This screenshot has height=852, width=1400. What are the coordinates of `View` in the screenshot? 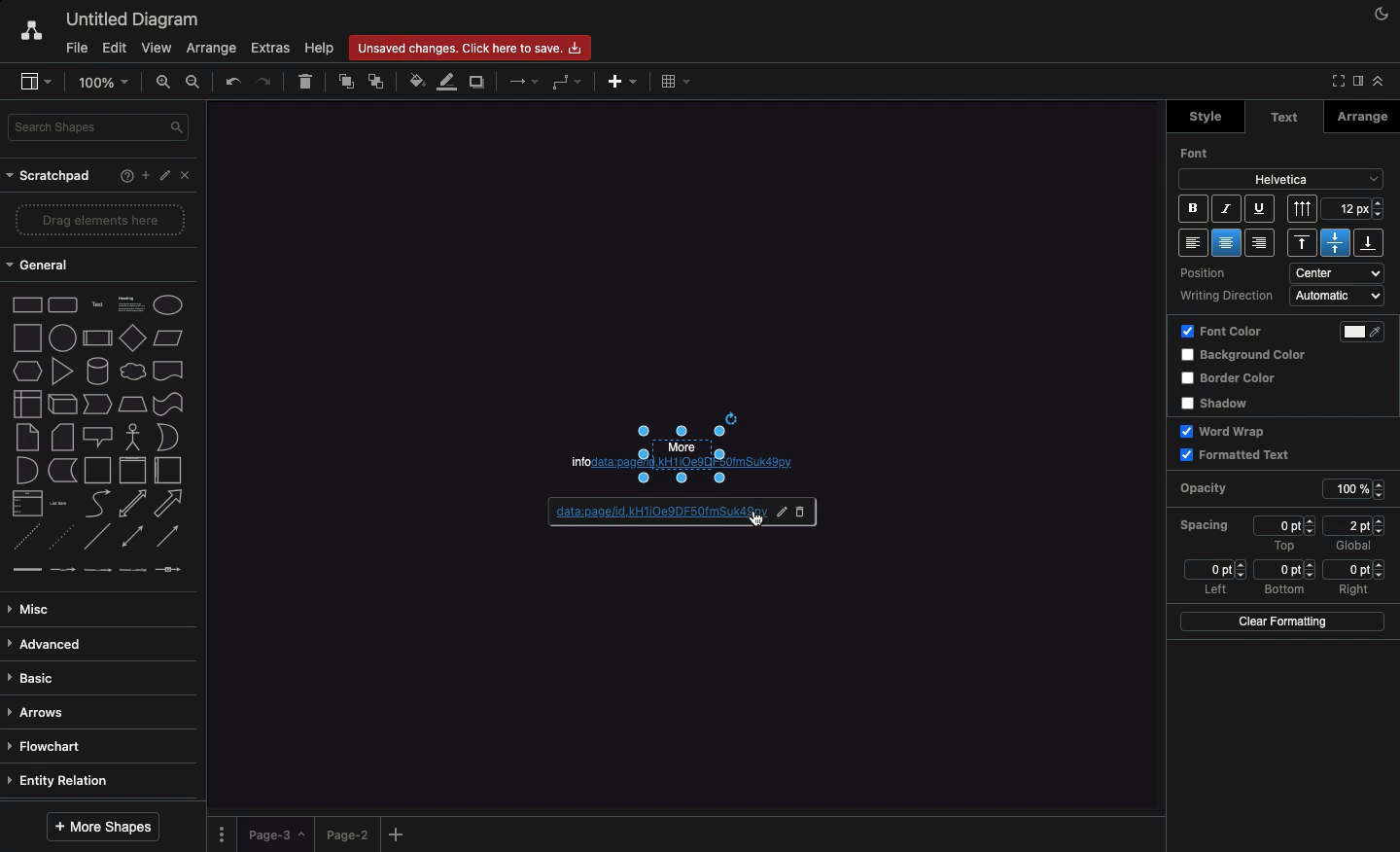 It's located at (155, 45).